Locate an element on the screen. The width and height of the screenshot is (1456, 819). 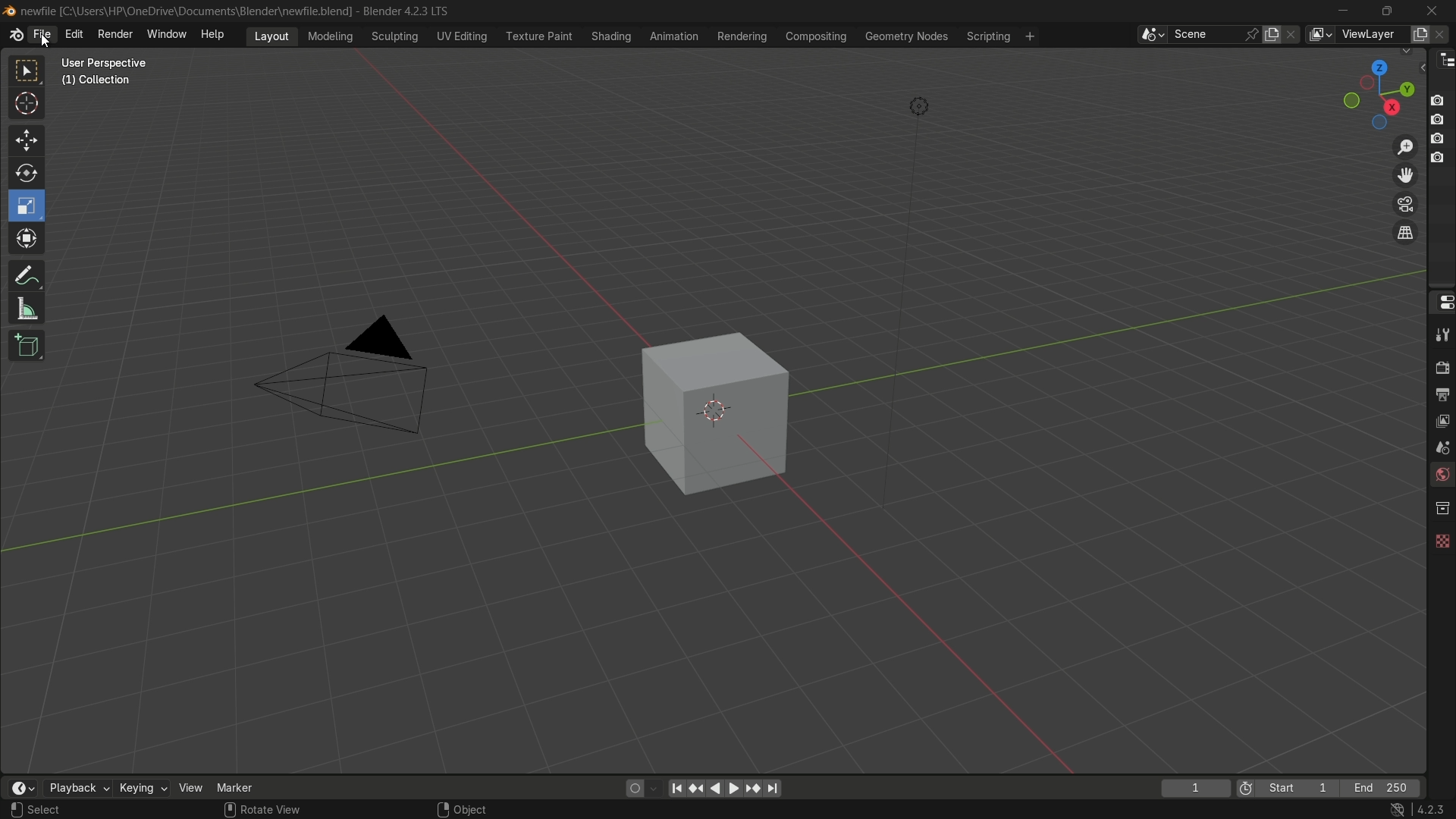
view layer name is located at coordinates (1371, 35).